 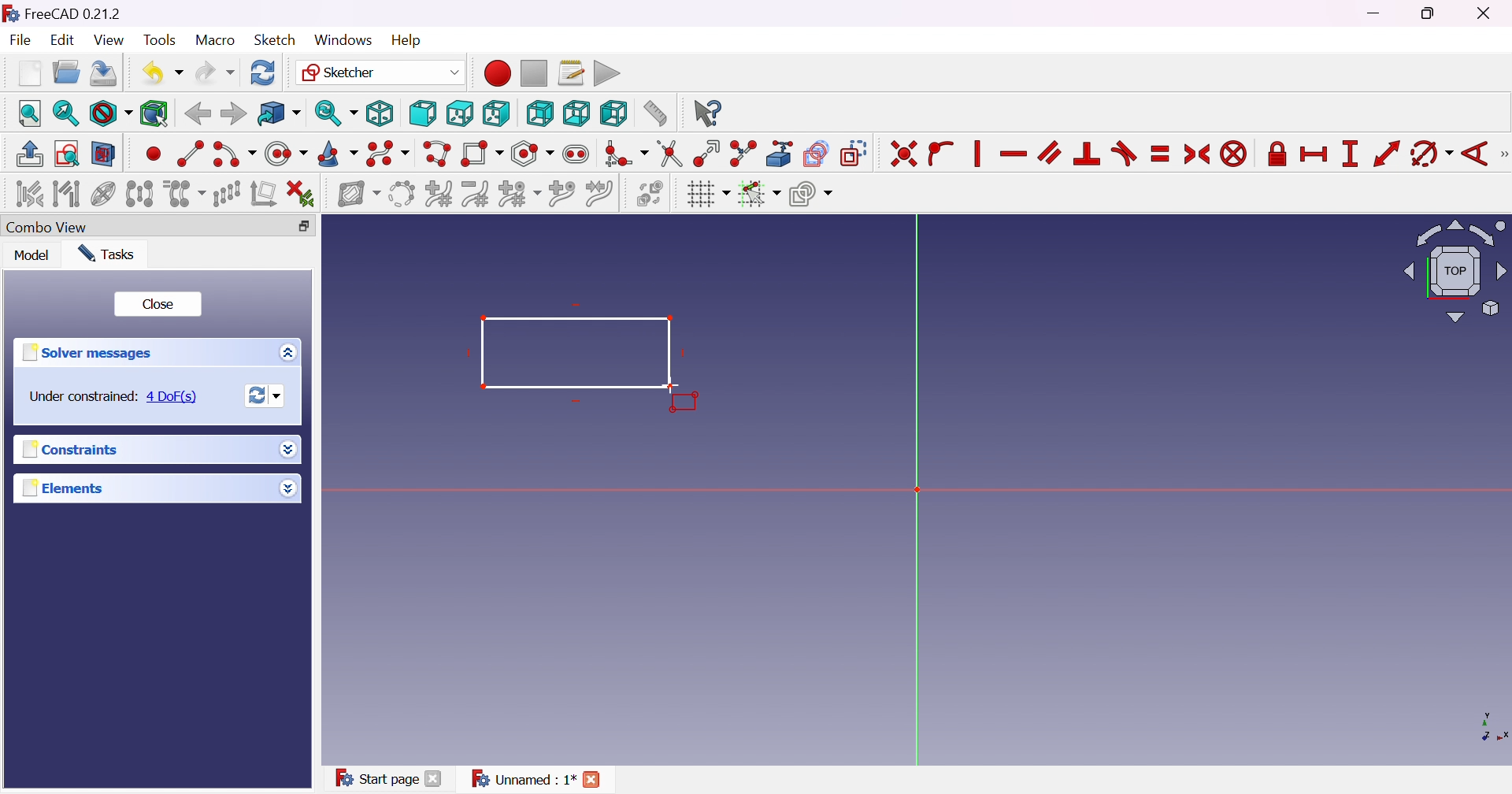 I want to click on Windows, so click(x=343, y=40).